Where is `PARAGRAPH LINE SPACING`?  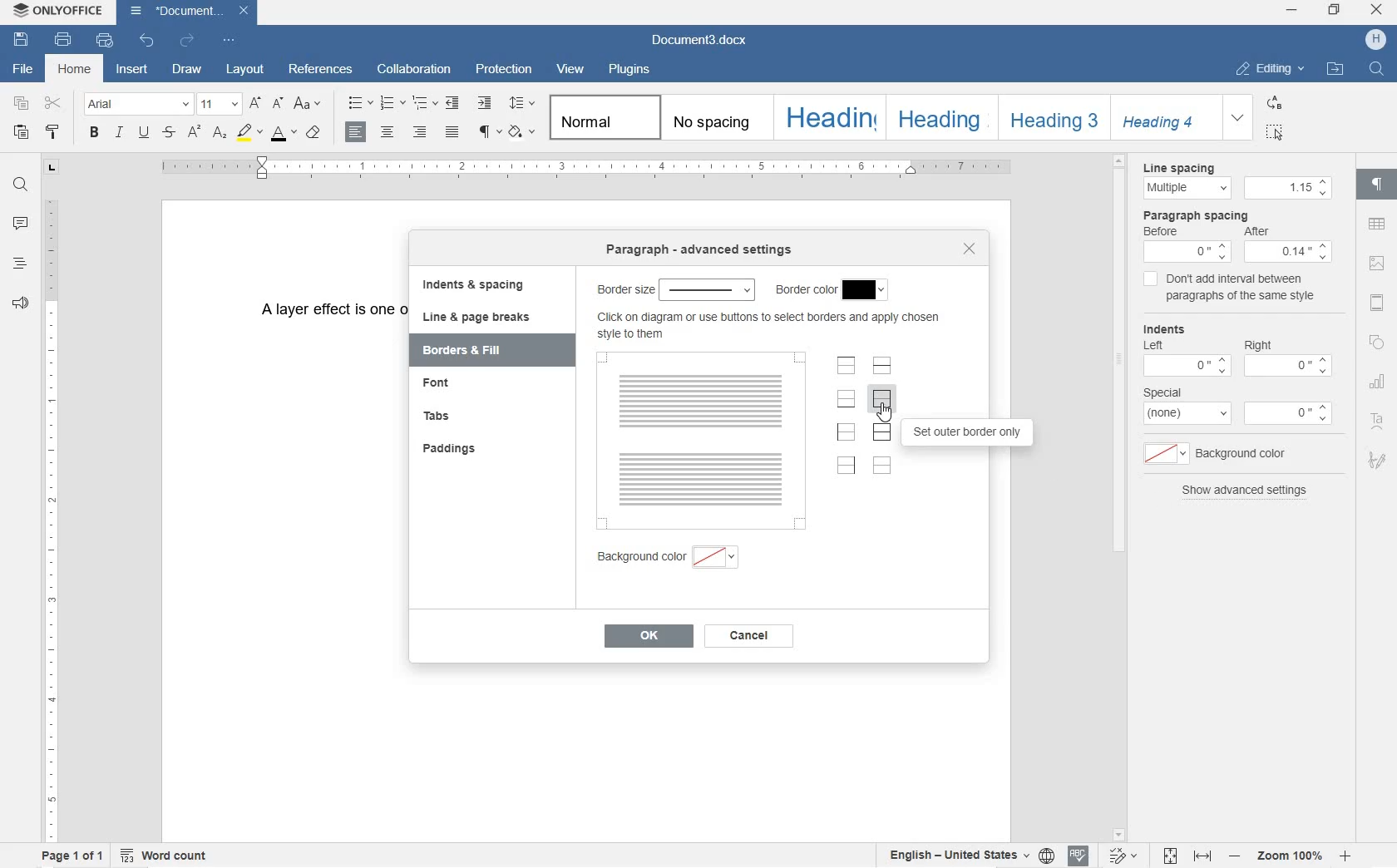
PARAGRAPH LINE SPACING is located at coordinates (522, 104).